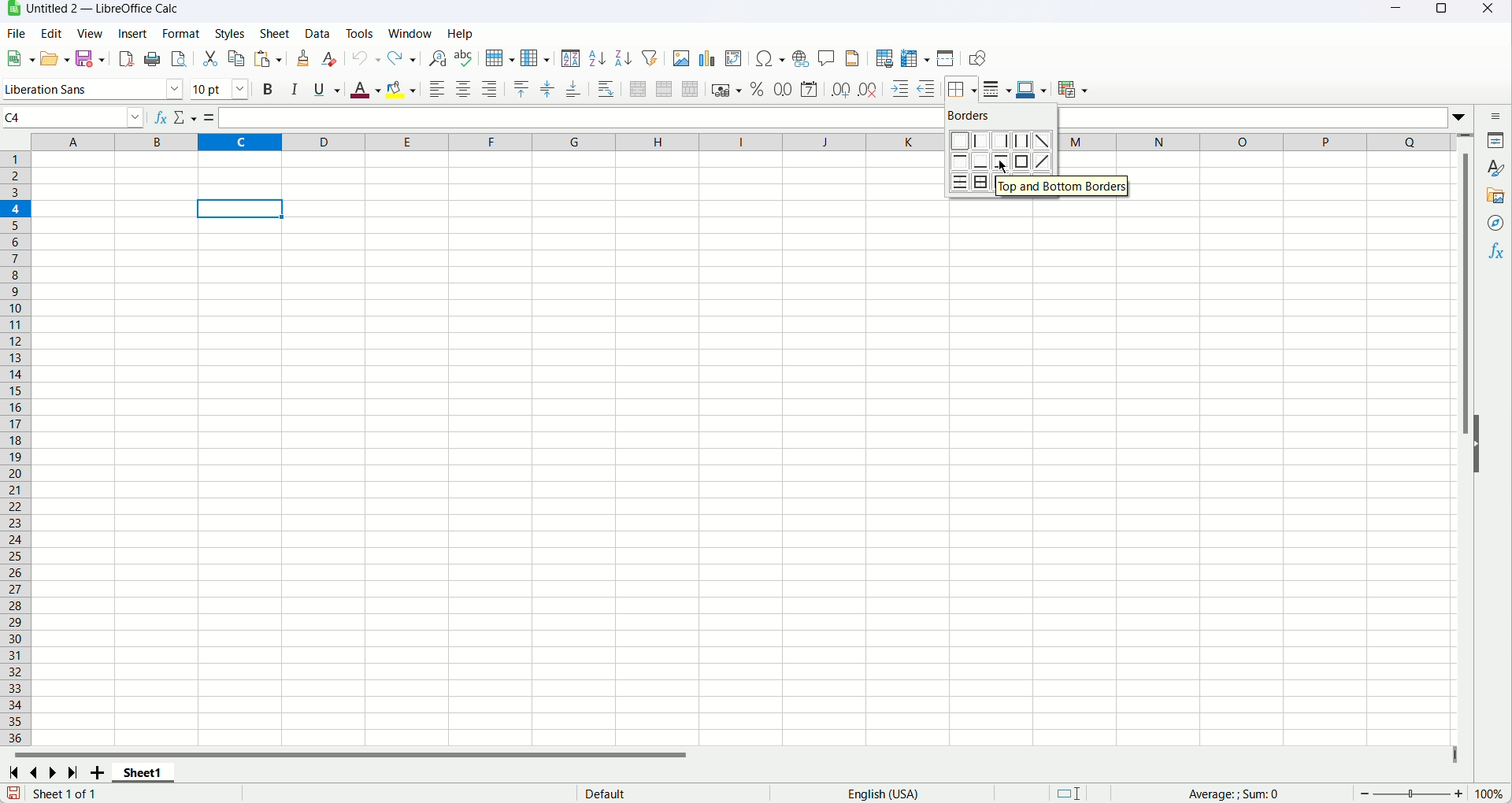 The height and width of the screenshot is (803, 1512). I want to click on Row, so click(498, 58).